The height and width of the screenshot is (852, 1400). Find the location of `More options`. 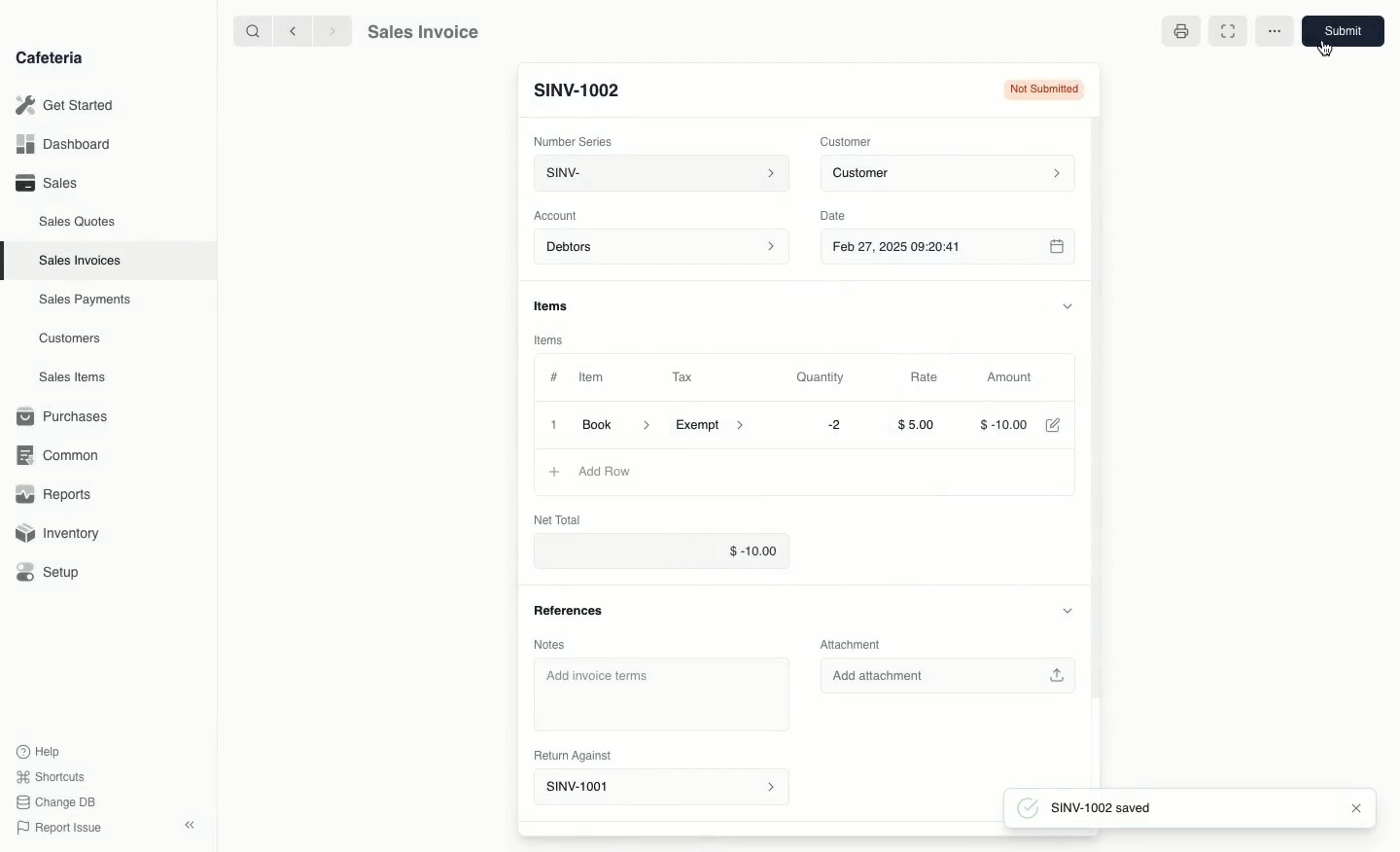

More options is located at coordinates (1277, 29).